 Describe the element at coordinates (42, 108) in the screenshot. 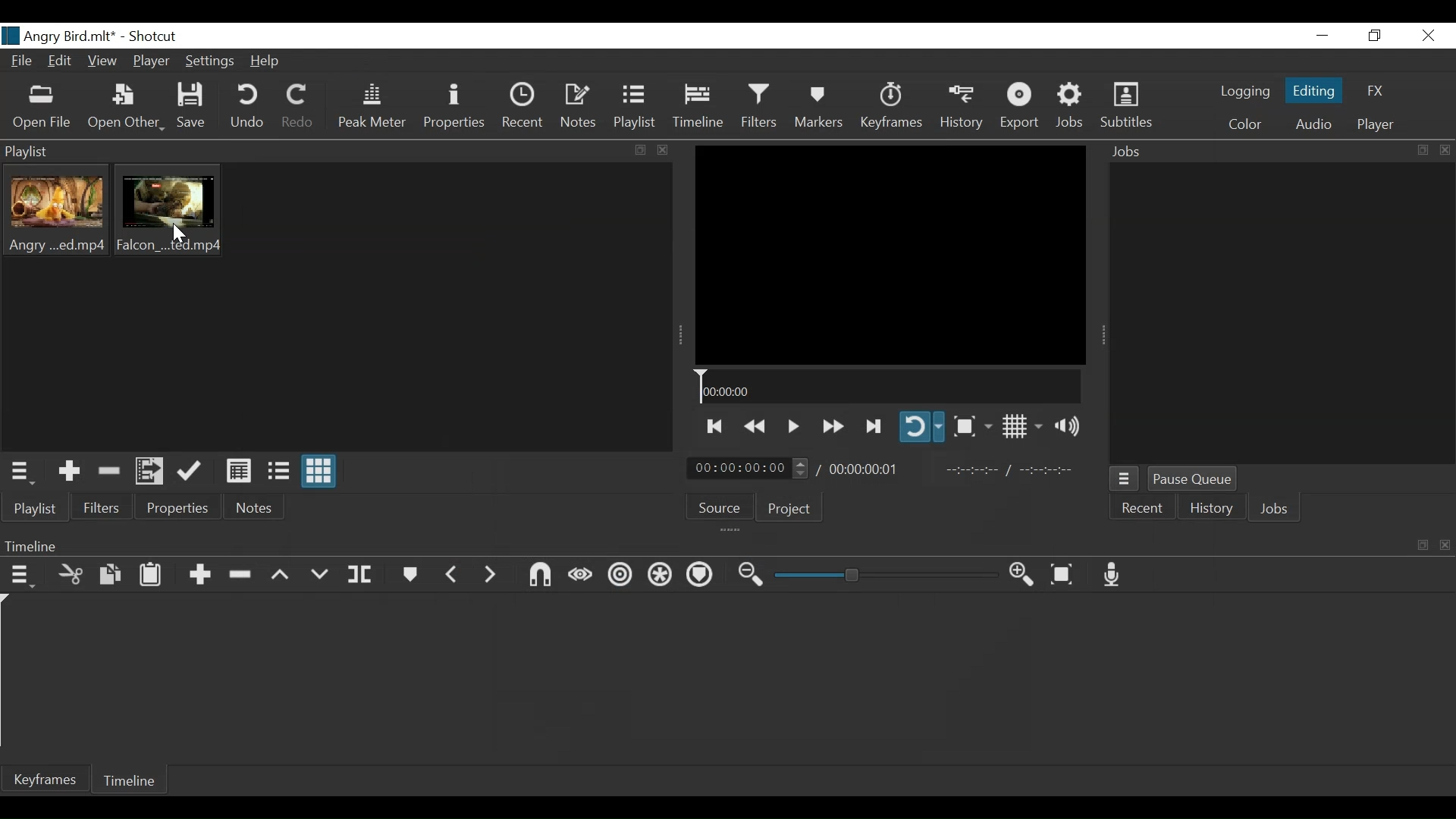

I see `Open File` at that location.